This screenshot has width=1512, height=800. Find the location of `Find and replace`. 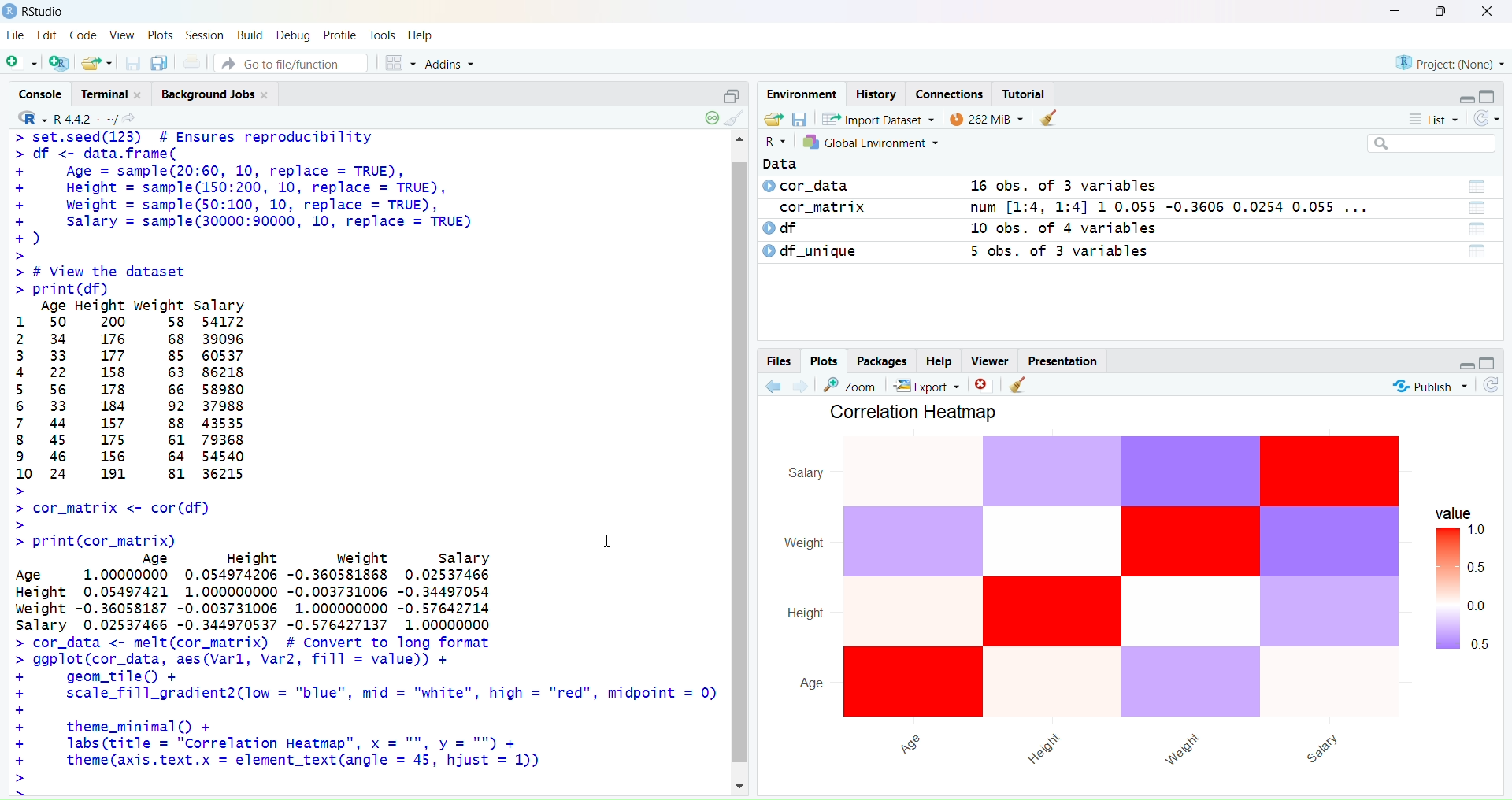

Find and replace is located at coordinates (854, 385).